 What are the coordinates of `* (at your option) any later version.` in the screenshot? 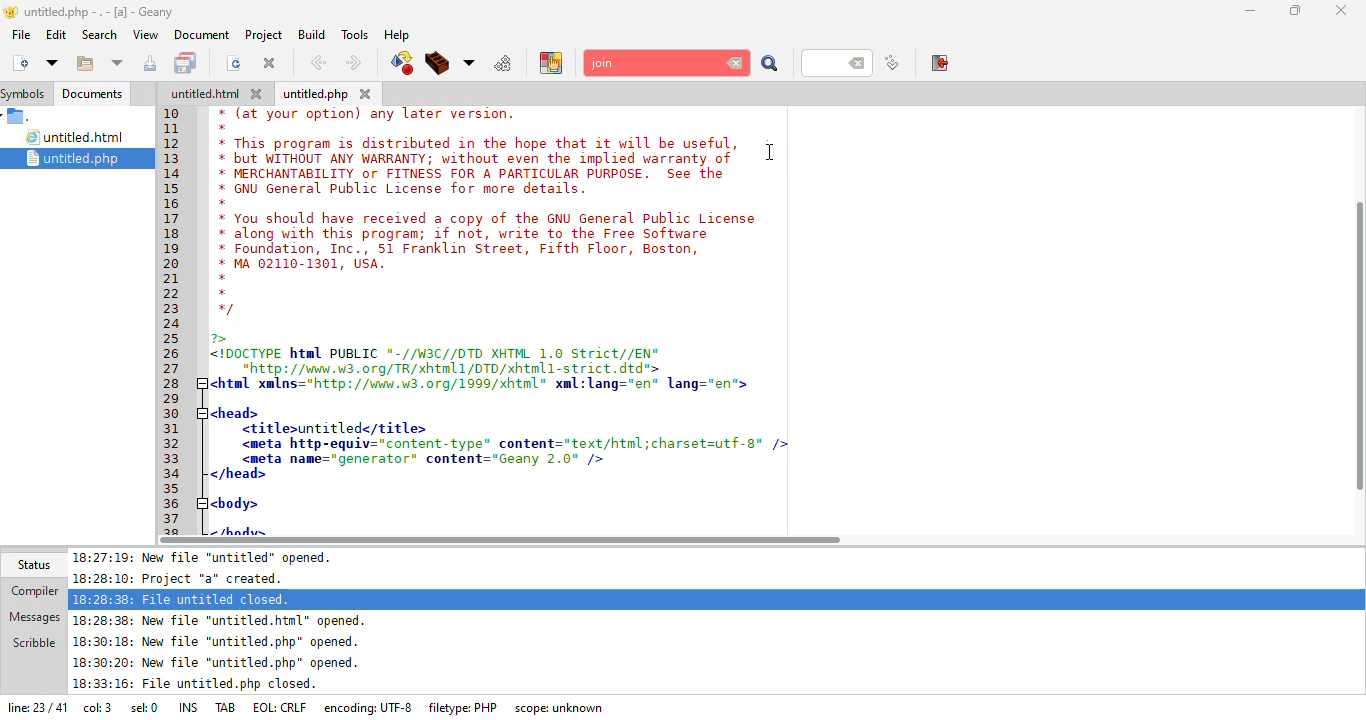 It's located at (371, 114).